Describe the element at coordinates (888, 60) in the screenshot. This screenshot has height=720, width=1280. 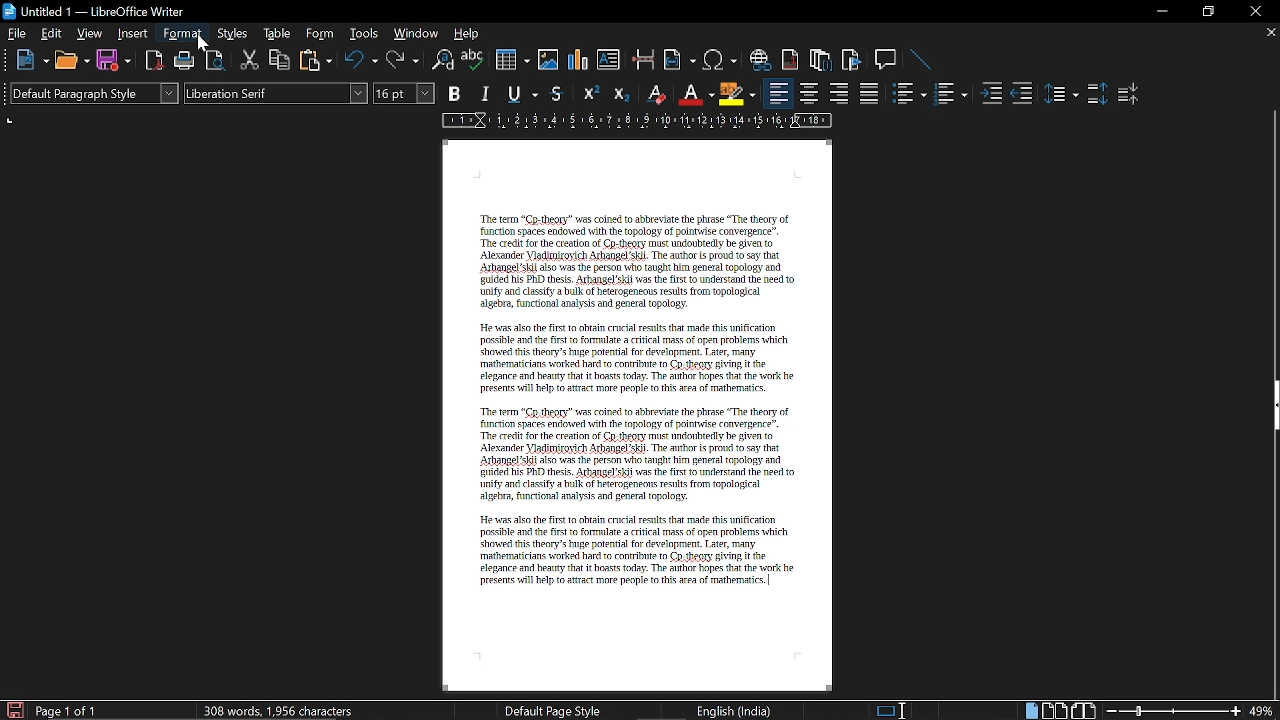
I see `Insert comment` at that location.